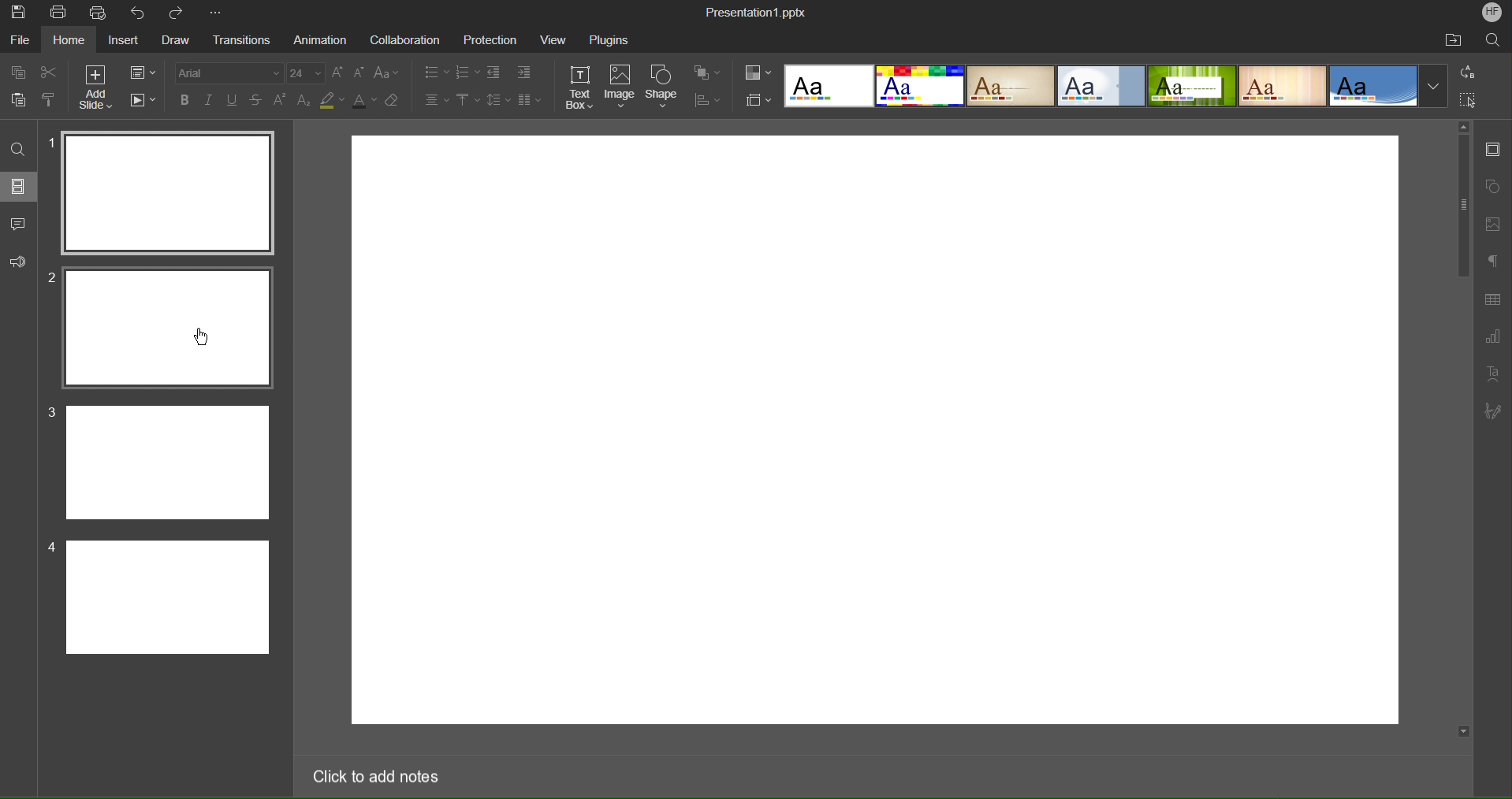  I want to click on subscript, so click(306, 101).